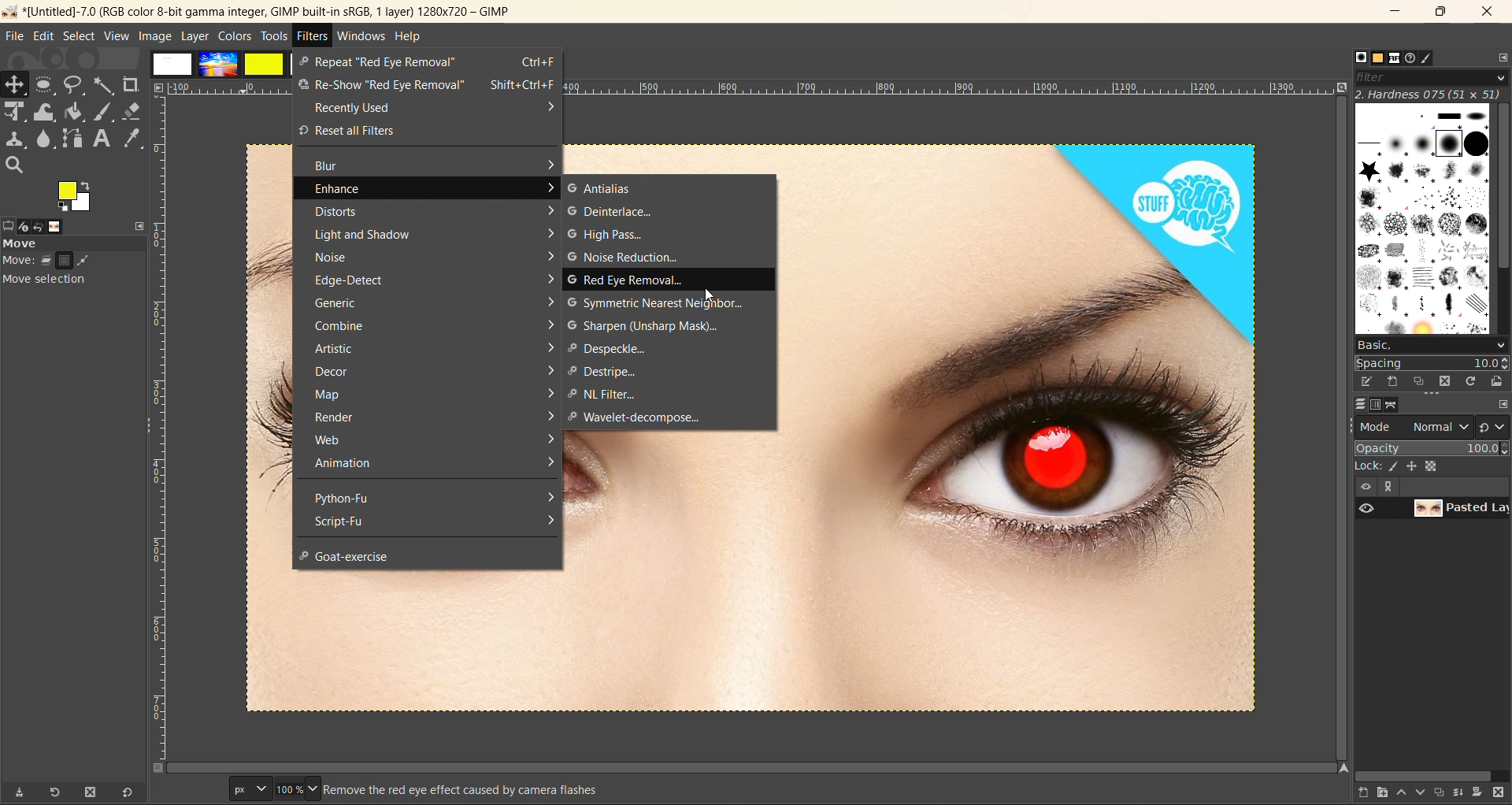 Image resolution: width=1512 pixels, height=805 pixels. Describe the element at coordinates (1355, 794) in the screenshot. I see `create a new layer` at that location.